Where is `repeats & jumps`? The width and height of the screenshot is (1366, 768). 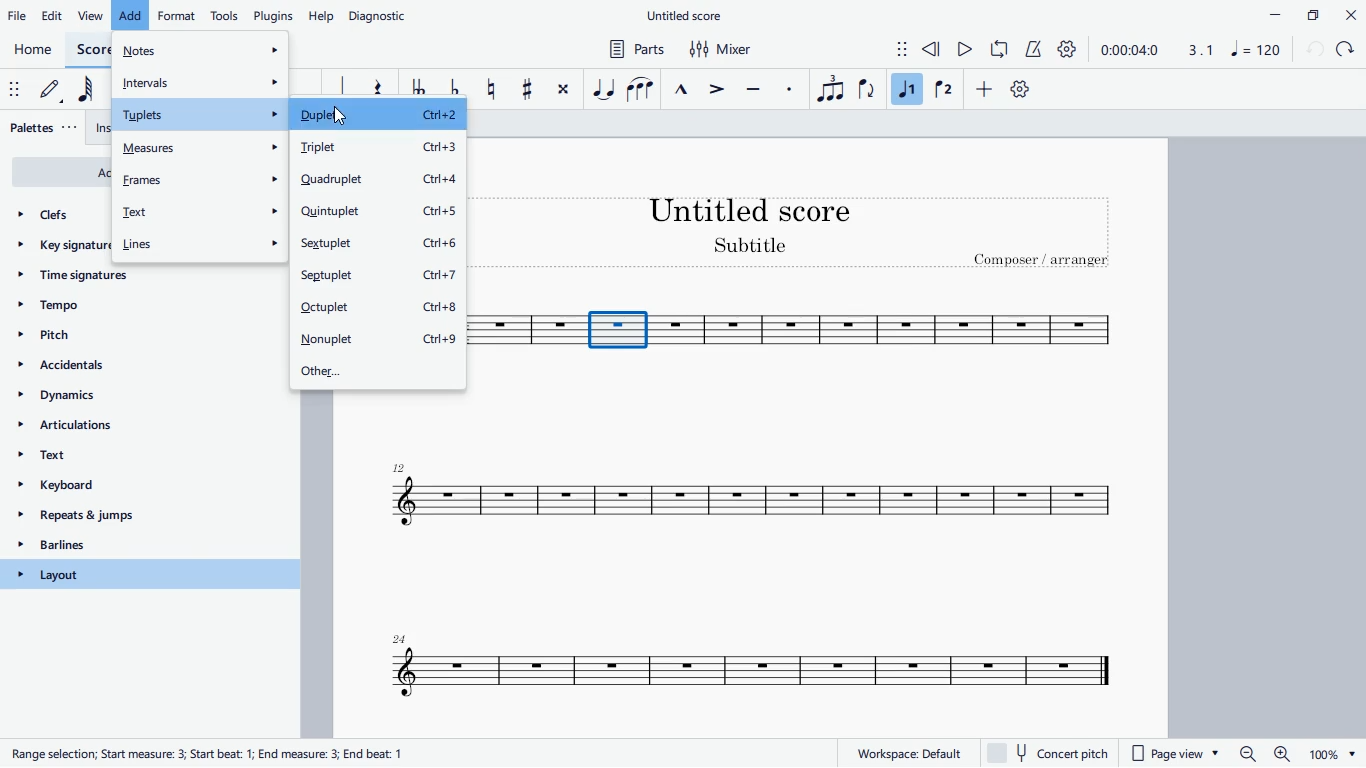
repeats & jumps is located at coordinates (128, 517).